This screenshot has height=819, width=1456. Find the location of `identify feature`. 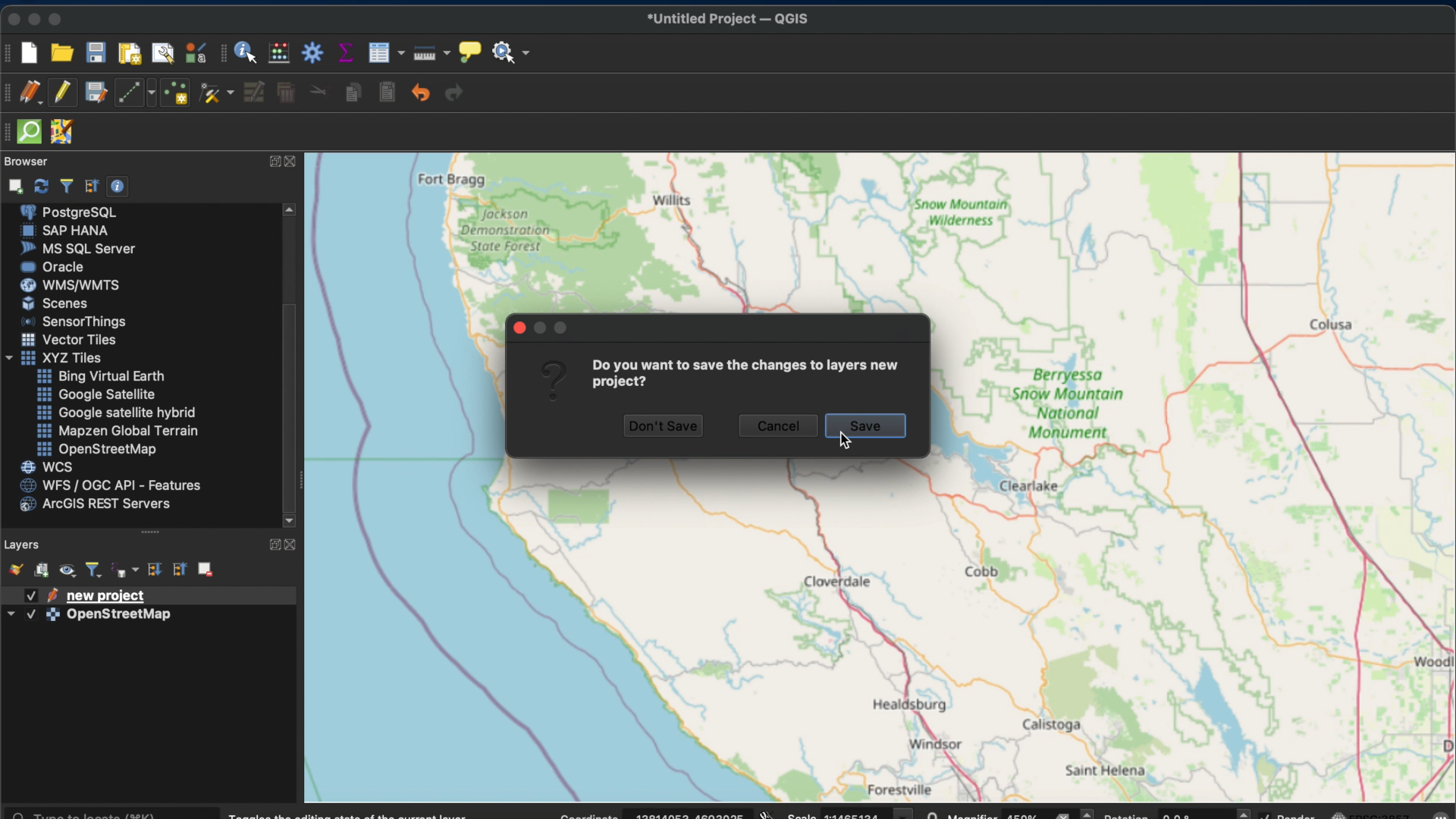

identify feature is located at coordinates (247, 52).